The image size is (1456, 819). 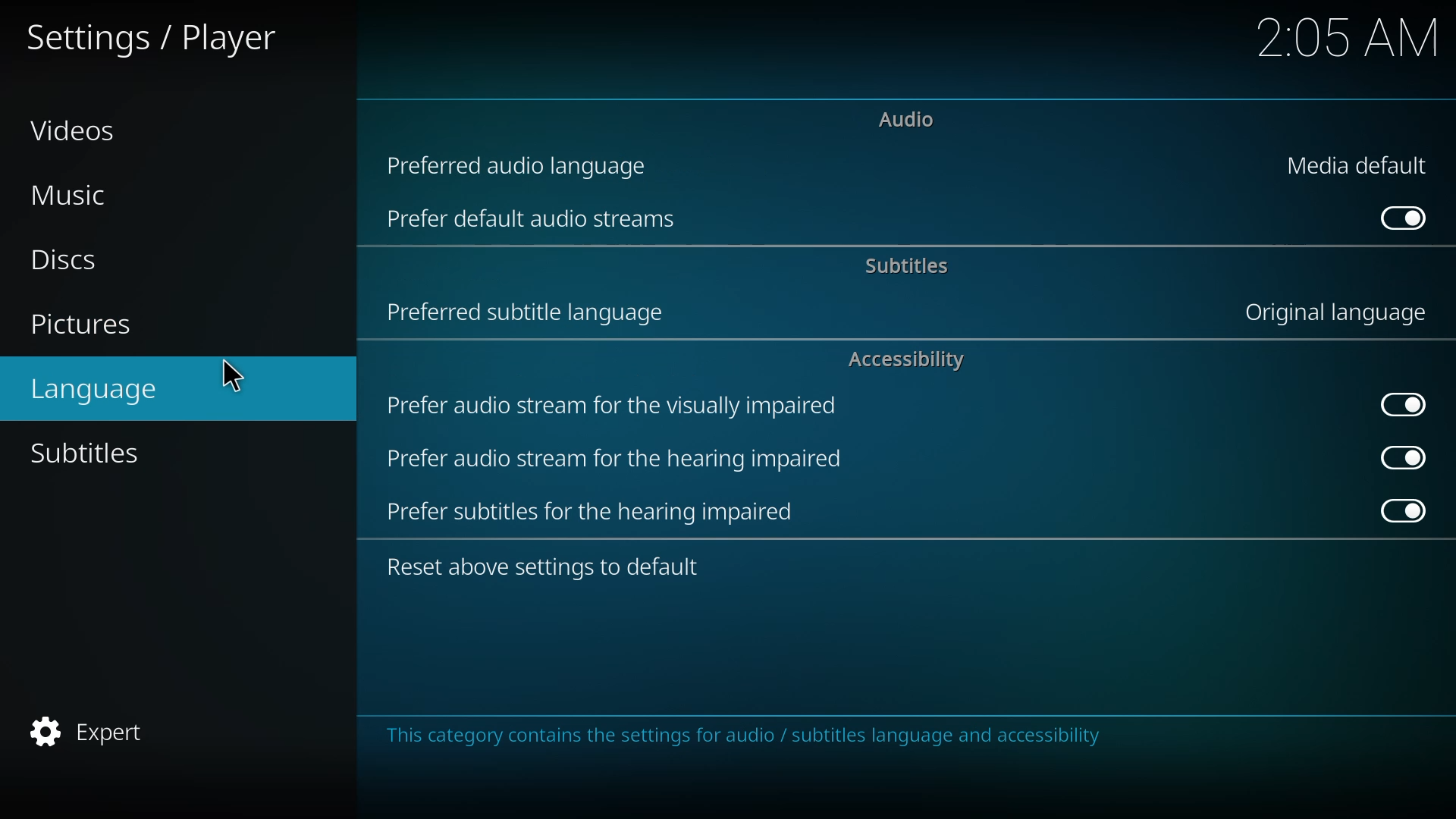 I want to click on enabled, so click(x=1401, y=457).